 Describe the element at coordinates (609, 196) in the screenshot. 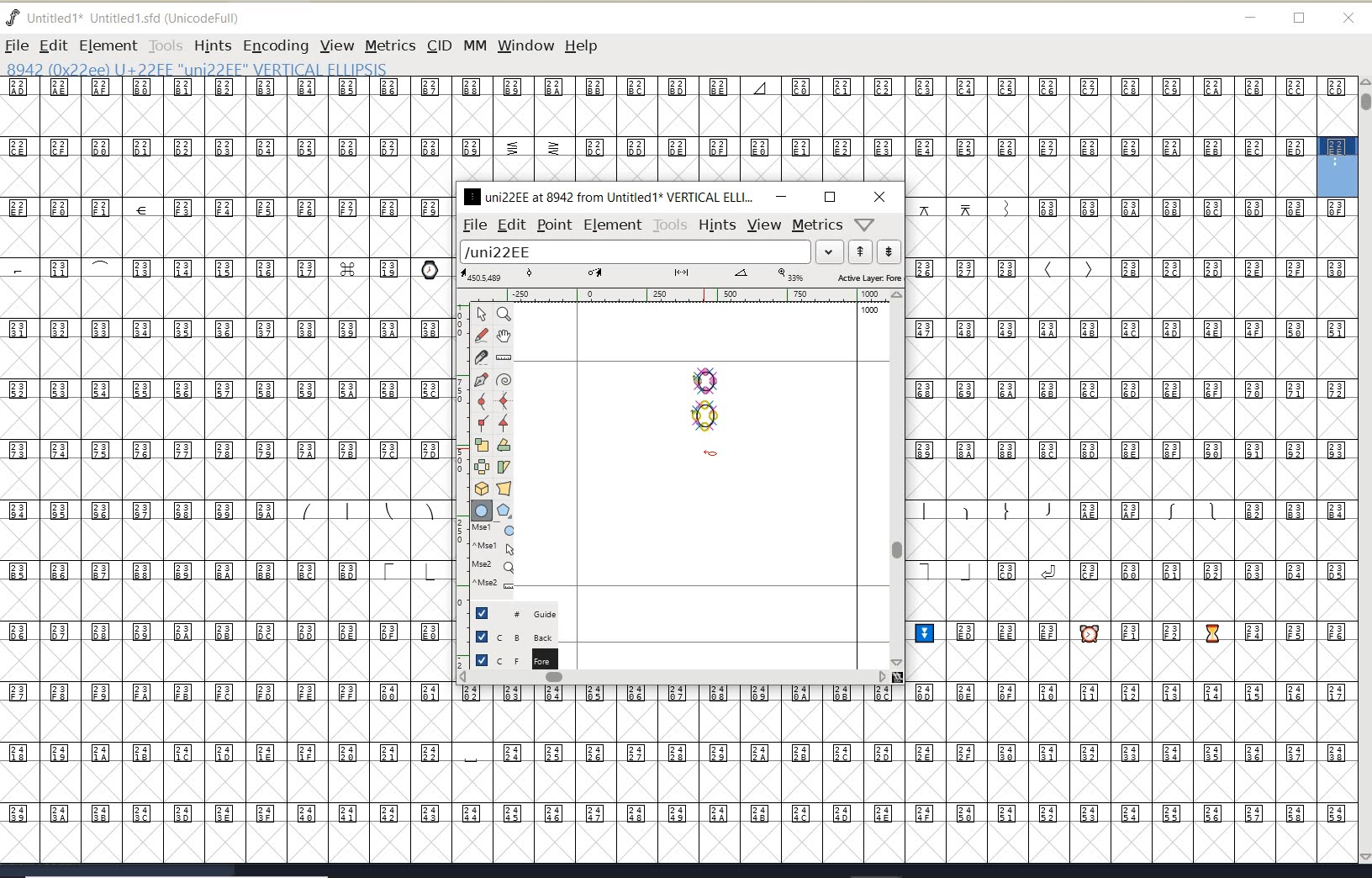

I see `uni22EE at 8942 from Untitled1 VERTICAL ELLIPSE` at that location.